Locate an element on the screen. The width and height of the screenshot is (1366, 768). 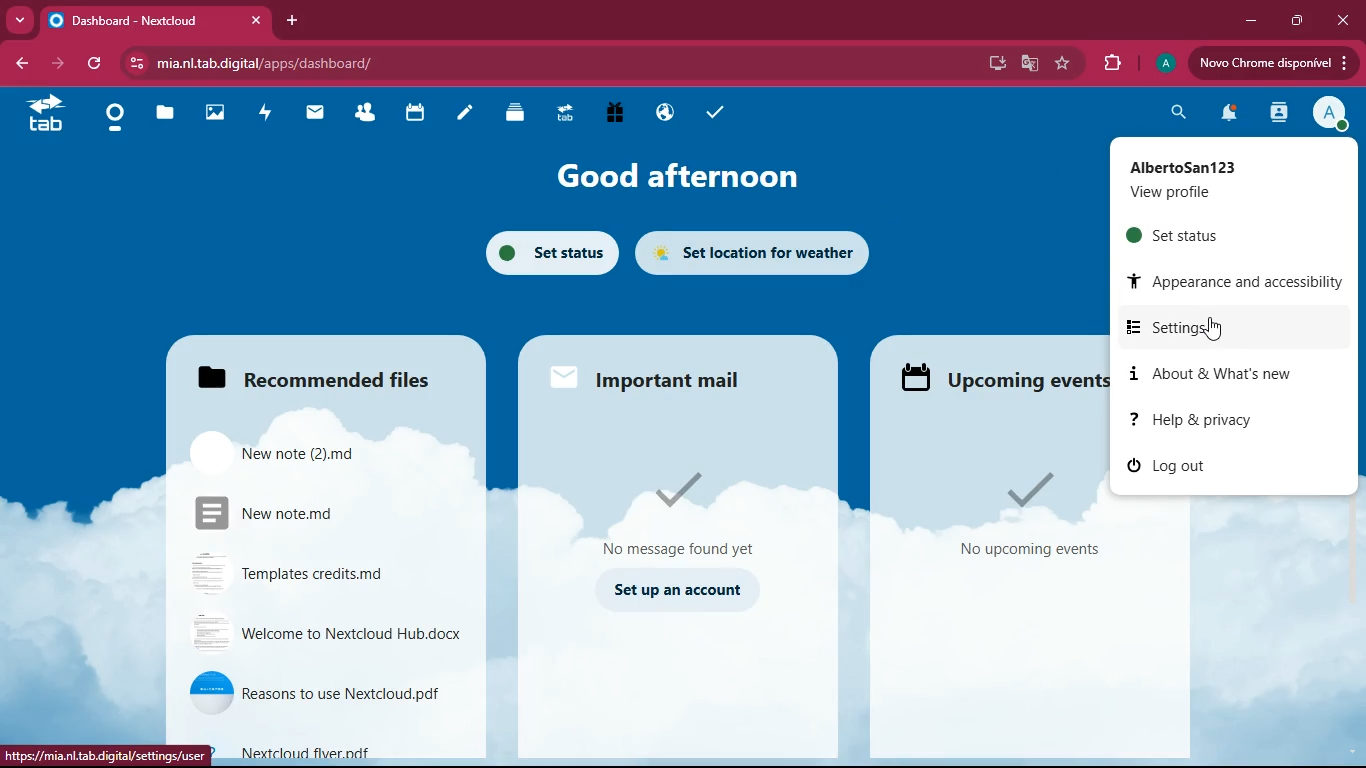
desktop is located at coordinates (992, 64).